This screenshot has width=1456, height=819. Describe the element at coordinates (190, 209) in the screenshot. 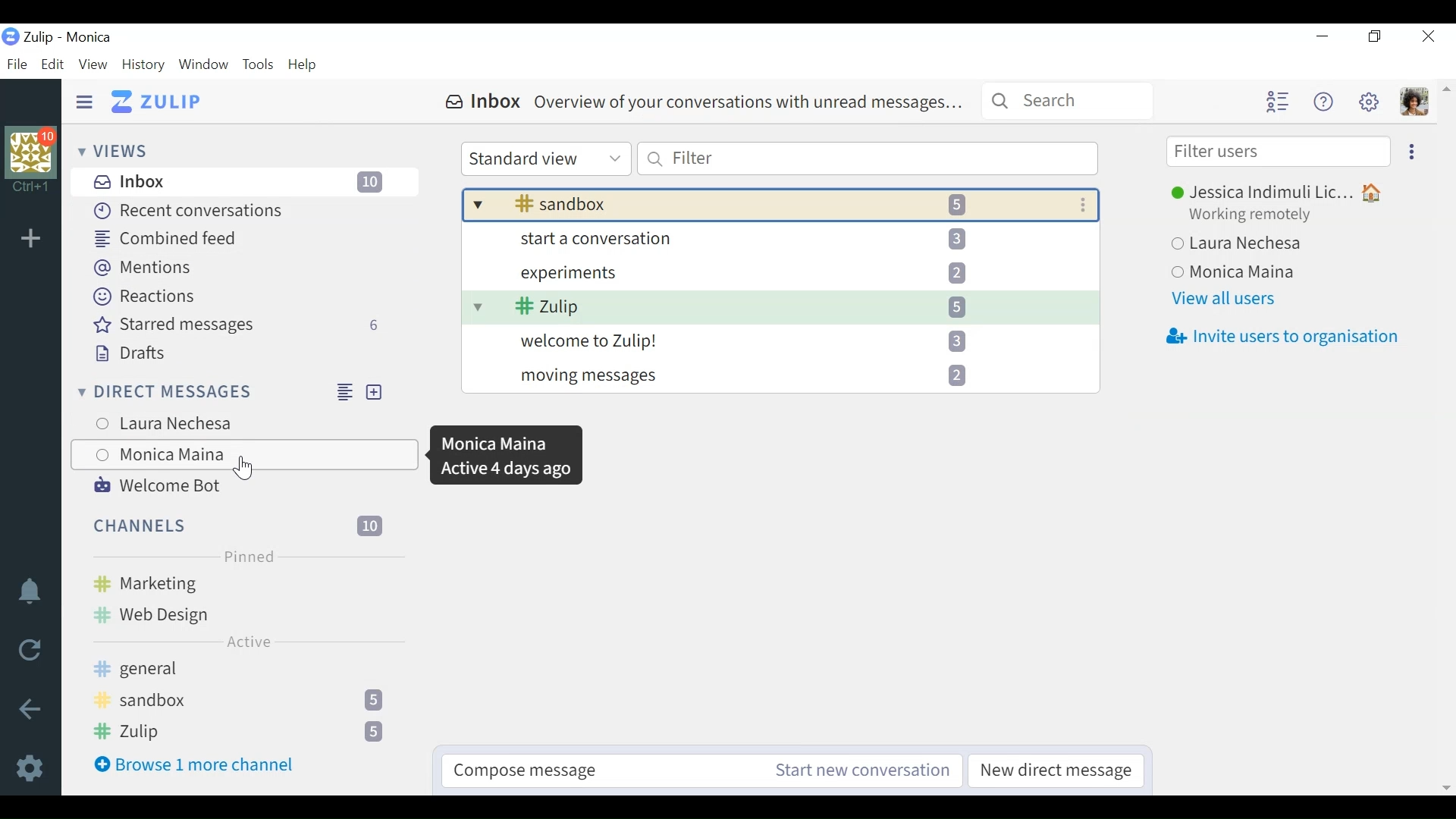

I see `Recent conversations` at that location.